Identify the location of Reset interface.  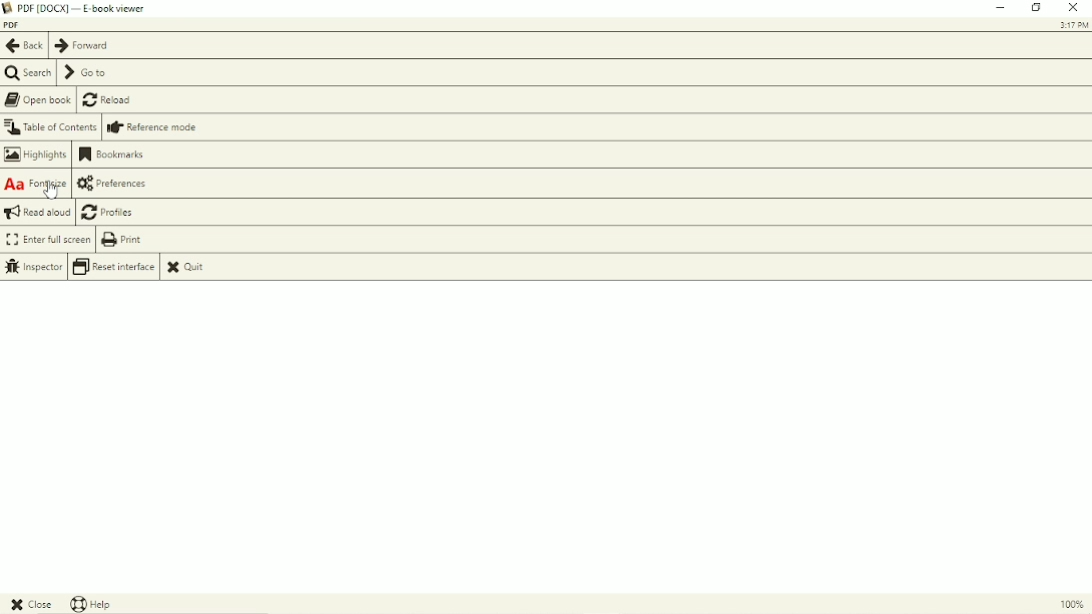
(115, 267).